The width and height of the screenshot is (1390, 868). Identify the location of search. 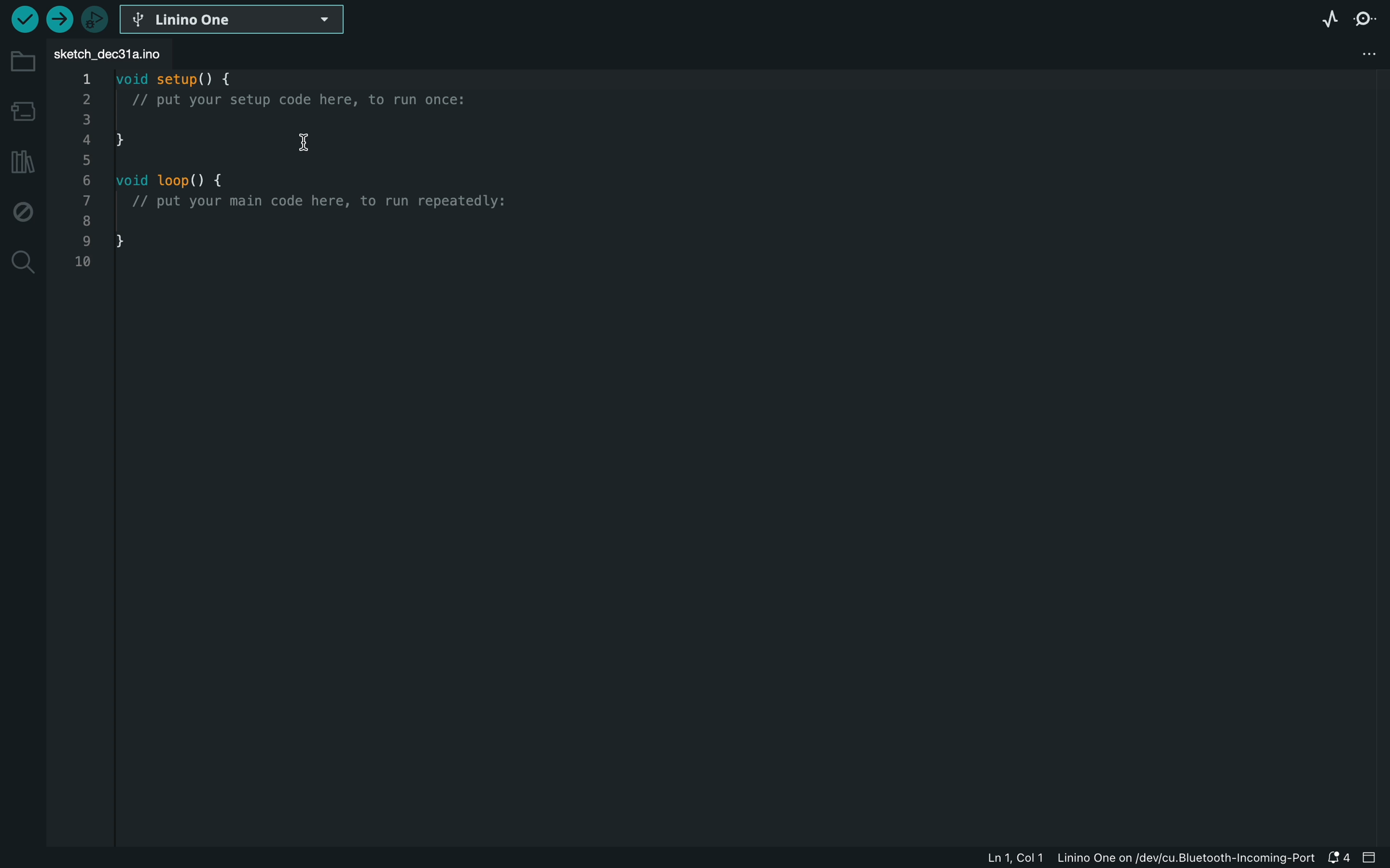
(23, 266).